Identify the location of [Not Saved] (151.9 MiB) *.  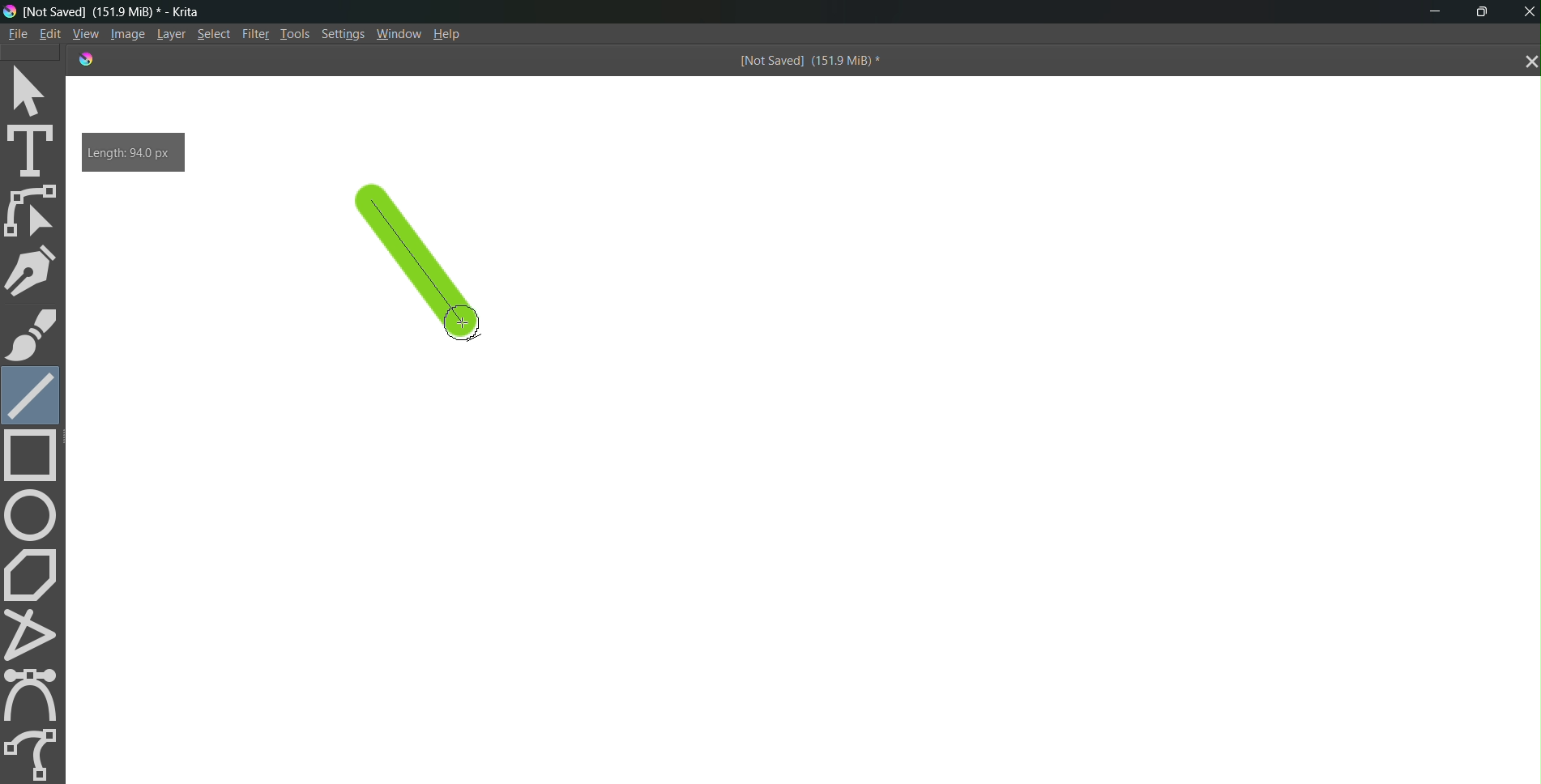
(807, 62).